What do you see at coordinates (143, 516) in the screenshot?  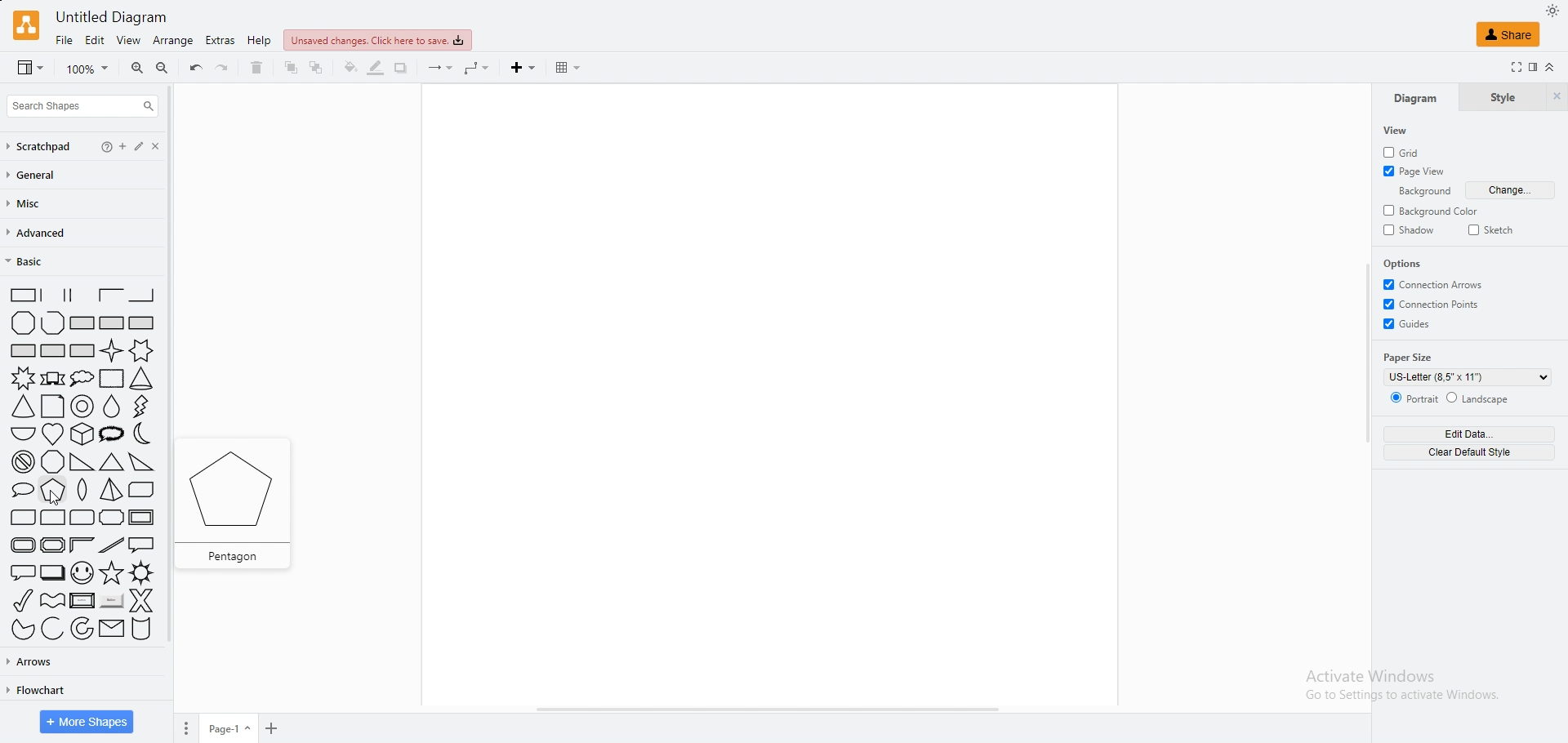 I see `frame` at bounding box center [143, 516].